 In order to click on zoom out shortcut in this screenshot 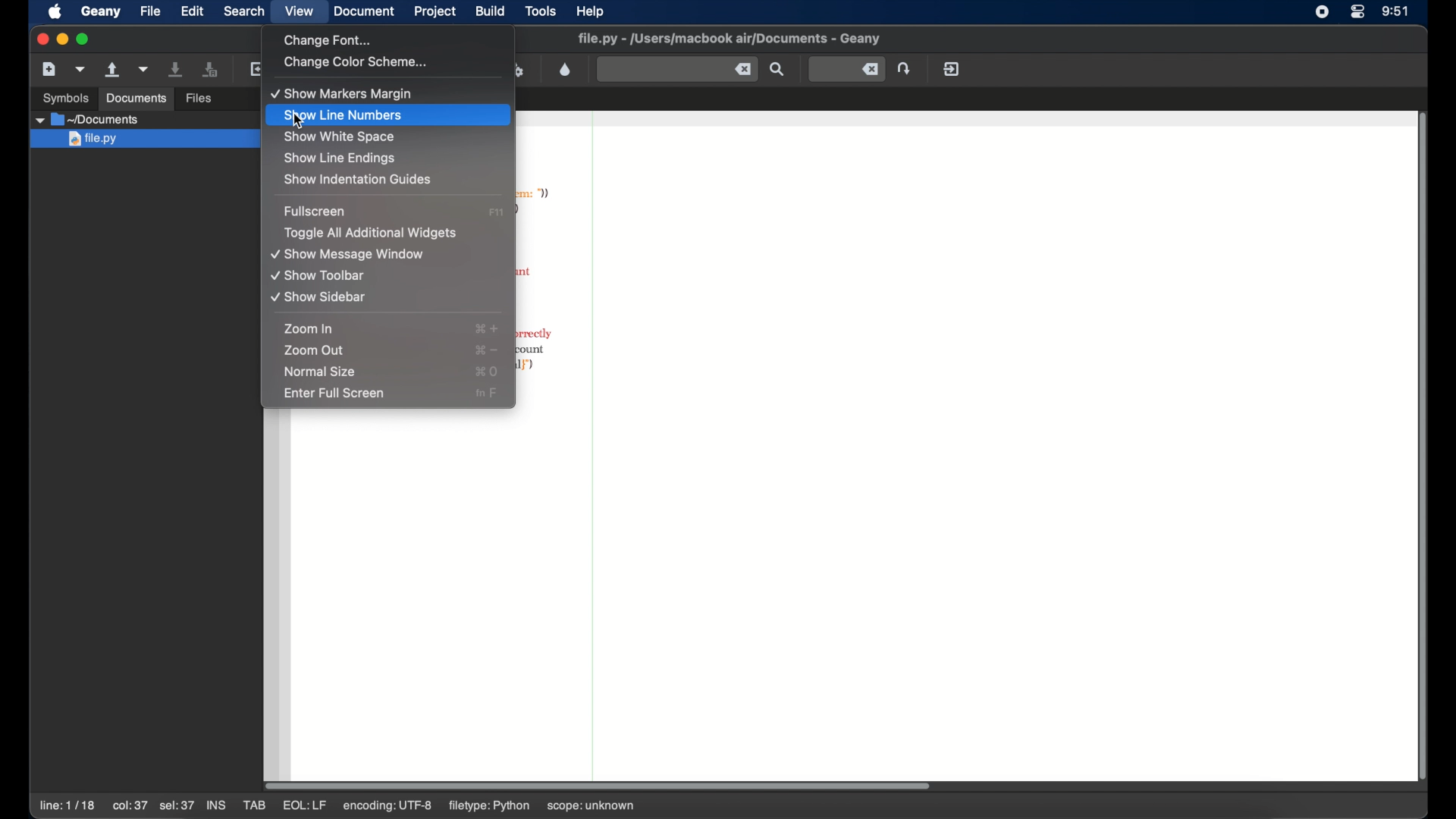, I will do `click(484, 350)`.